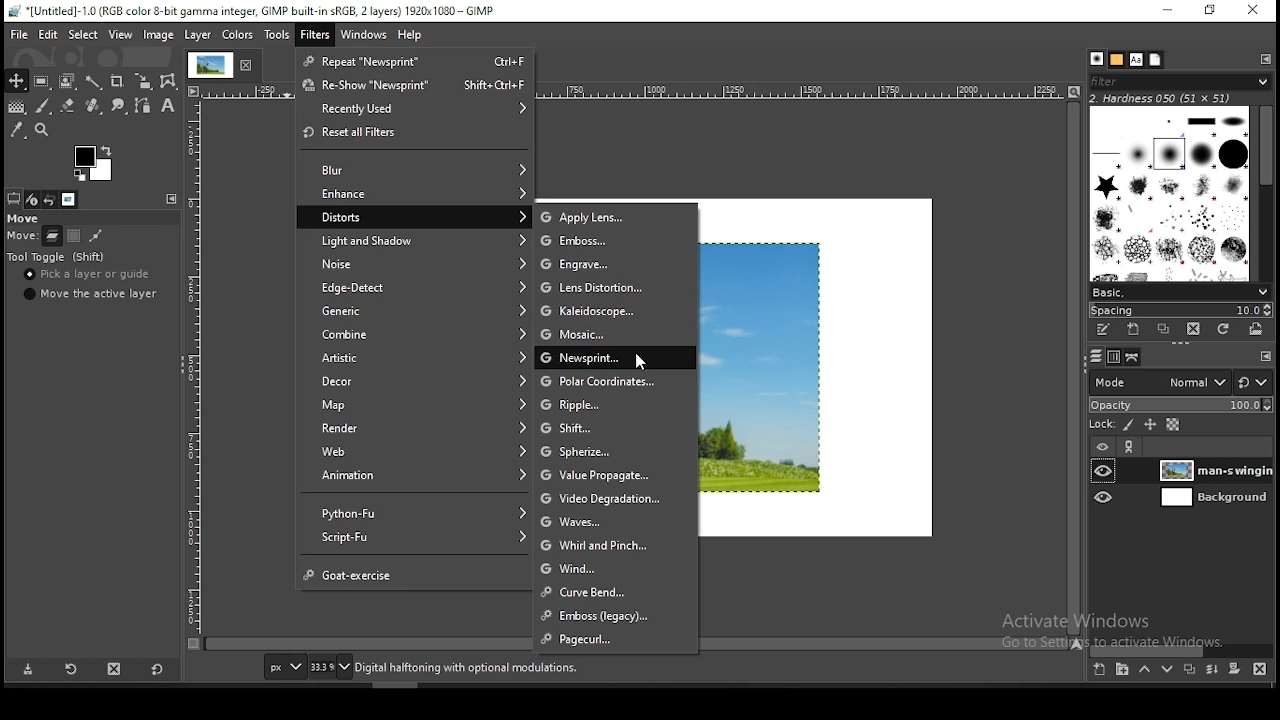  What do you see at coordinates (42, 82) in the screenshot?
I see `rectangle select tool` at bounding box center [42, 82].